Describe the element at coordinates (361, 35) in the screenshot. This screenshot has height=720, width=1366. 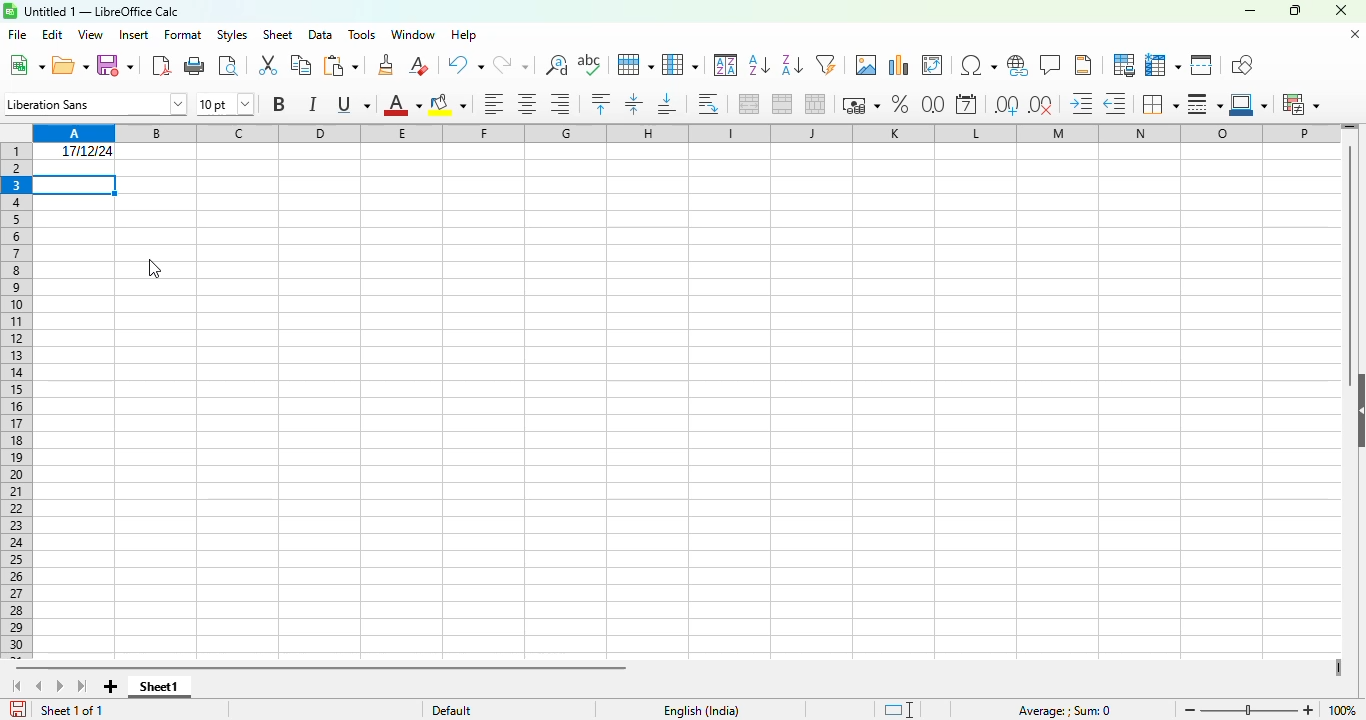
I see `tools` at that location.